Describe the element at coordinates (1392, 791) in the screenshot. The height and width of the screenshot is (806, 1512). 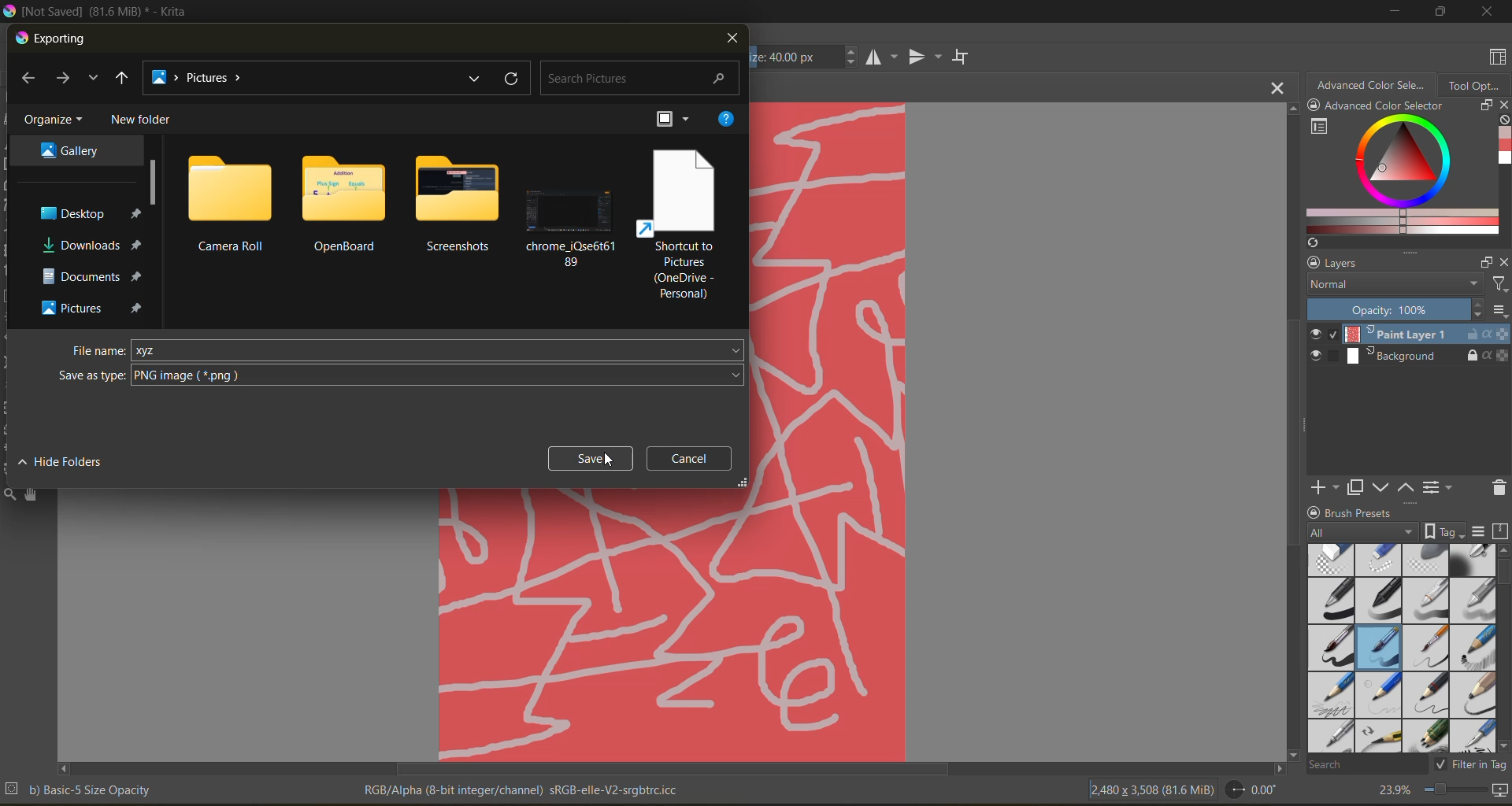
I see `zoom factor` at that location.